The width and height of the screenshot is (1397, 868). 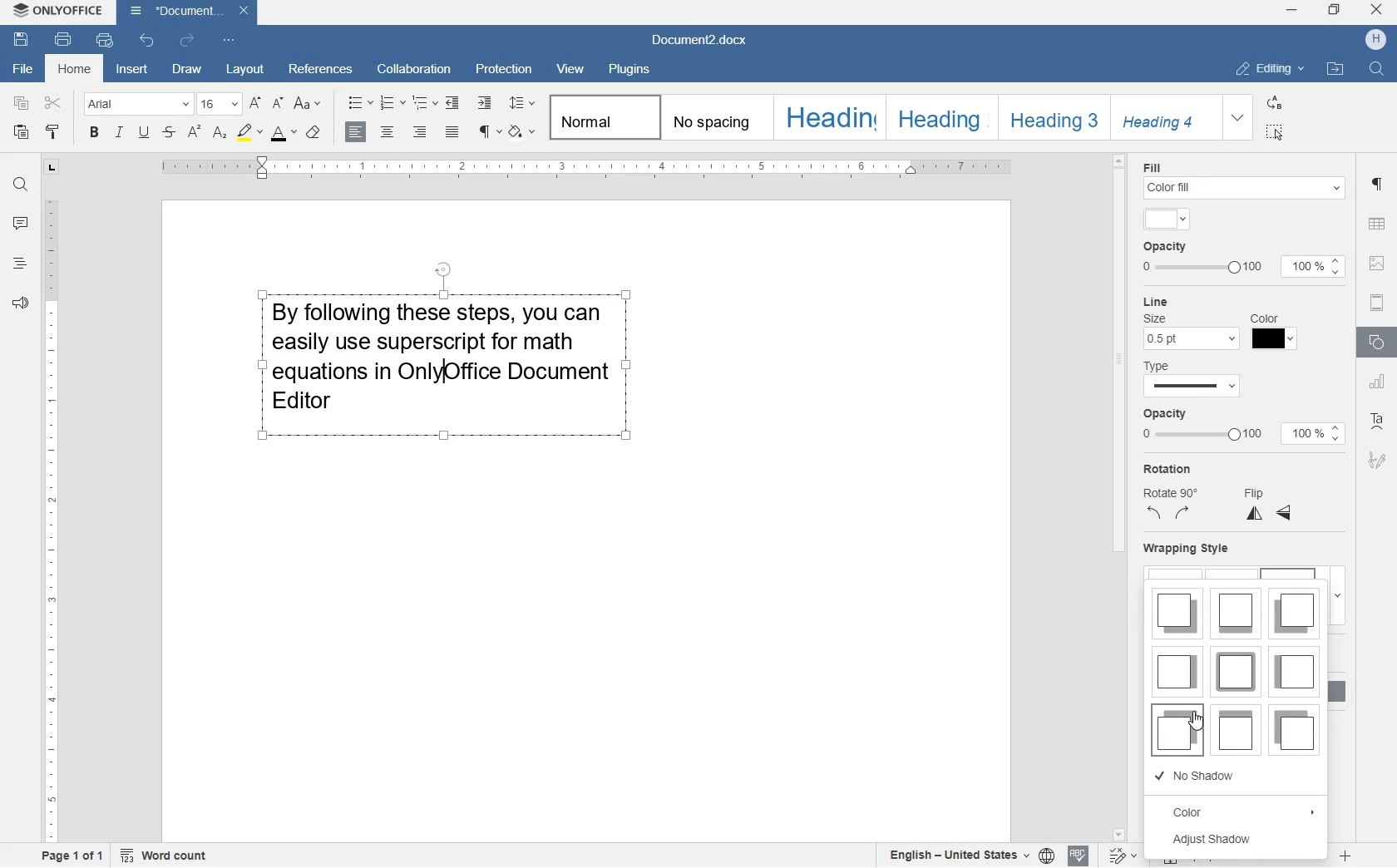 What do you see at coordinates (388, 133) in the screenshot?
I see `center alignment` at bounding box center [388, 133].